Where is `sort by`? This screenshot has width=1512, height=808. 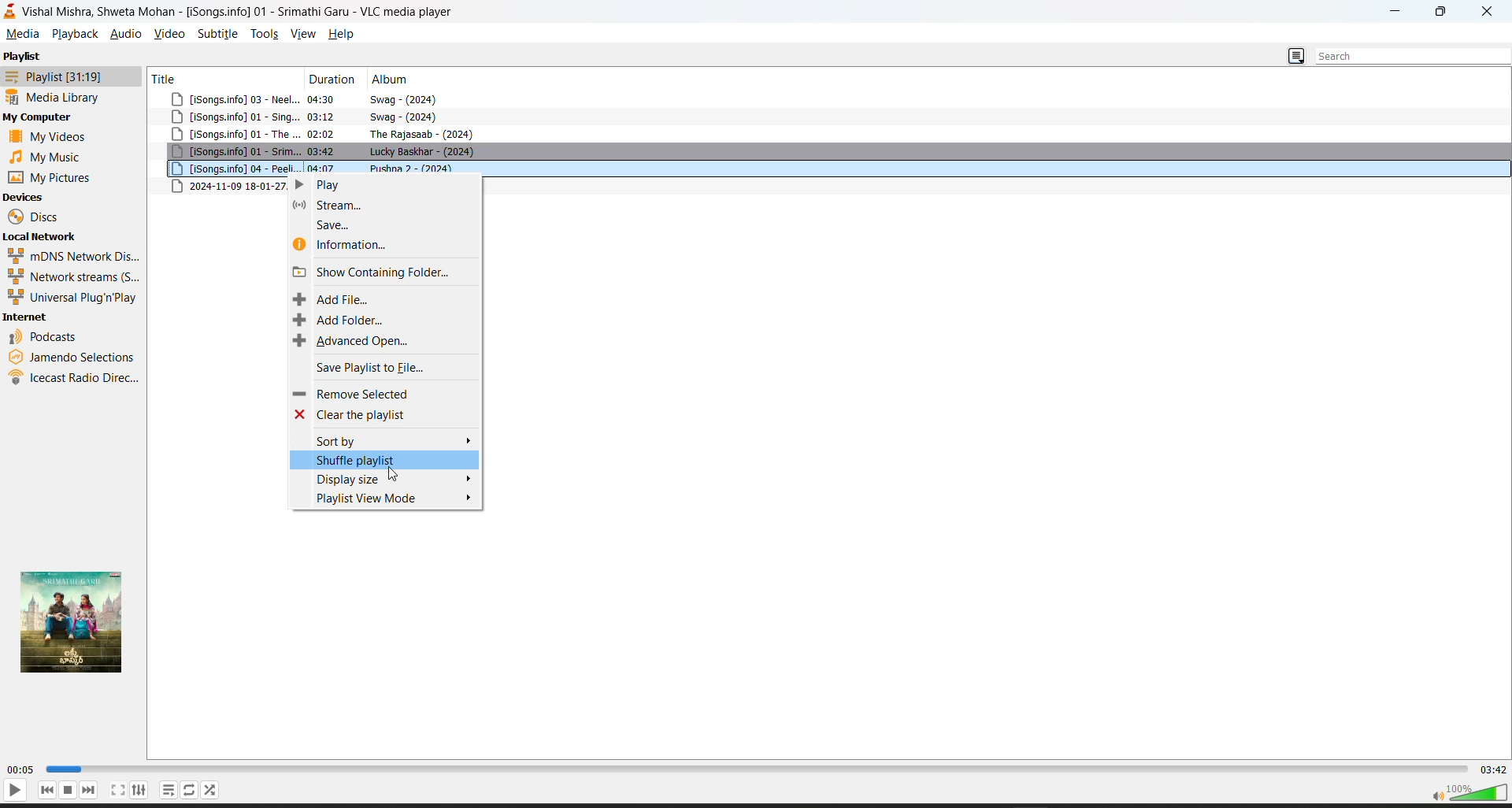 sort by is located at coordinates (385, 439).